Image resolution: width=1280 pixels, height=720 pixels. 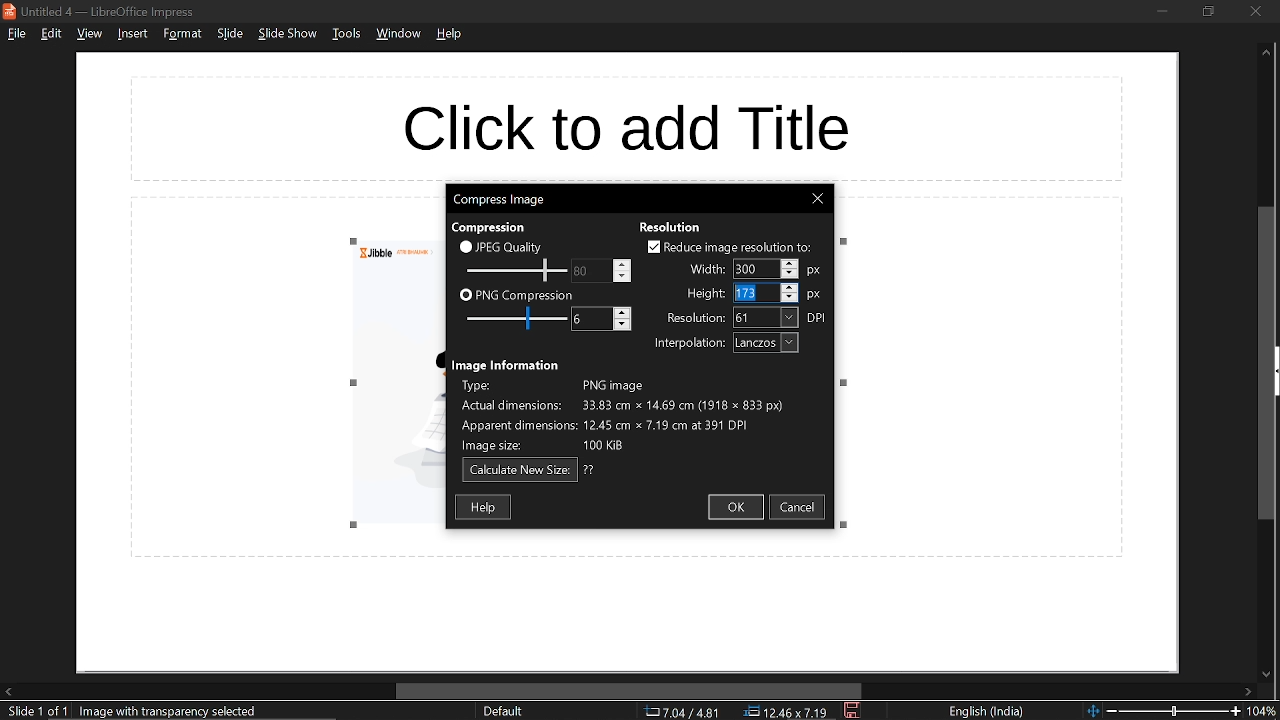 What do you see at coordinates (102, 10) in the screenshot?
I see `current window` at bounding box center [102, 10].